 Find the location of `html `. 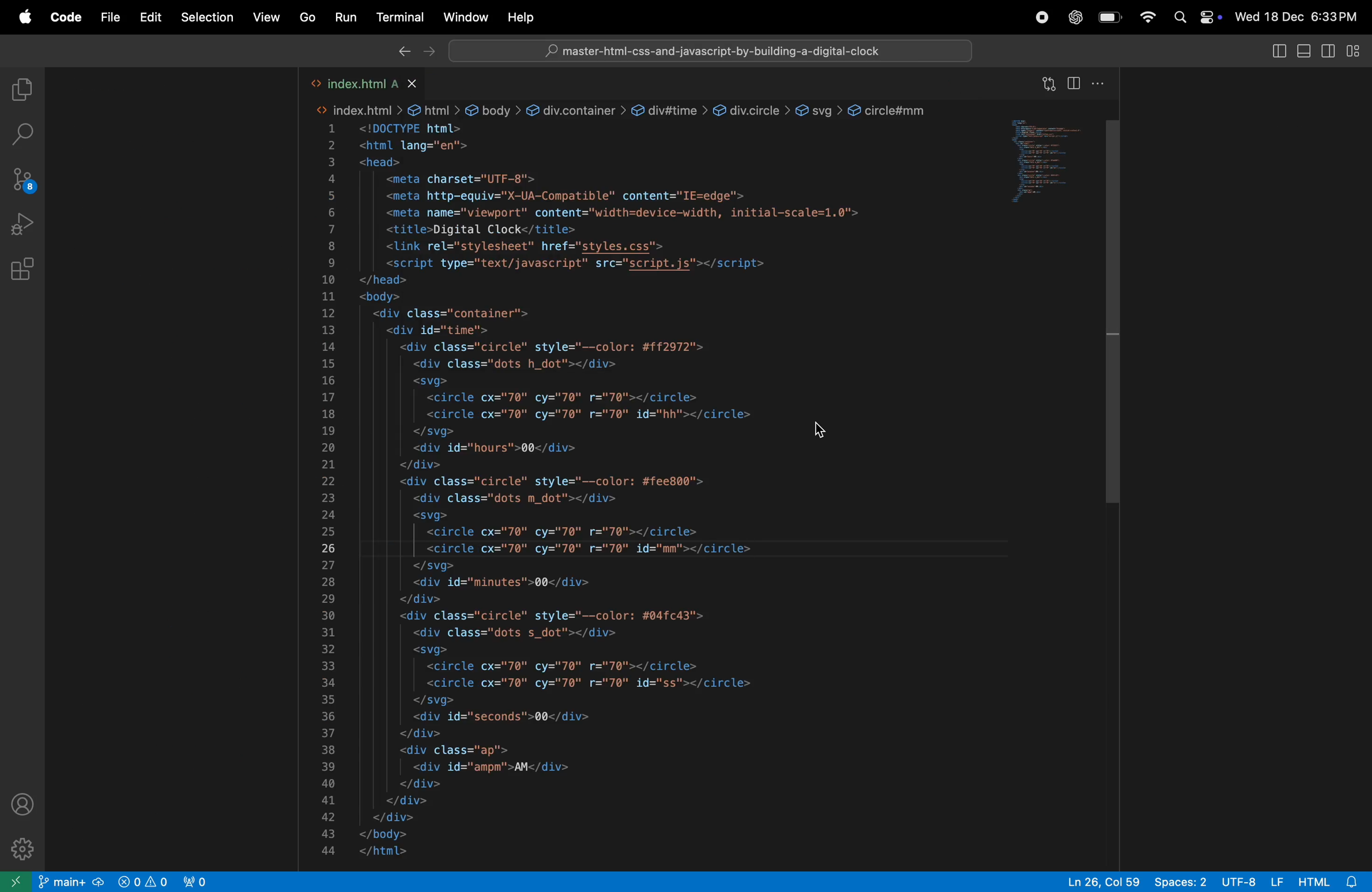

html  is located at coordinates (1332, 881).